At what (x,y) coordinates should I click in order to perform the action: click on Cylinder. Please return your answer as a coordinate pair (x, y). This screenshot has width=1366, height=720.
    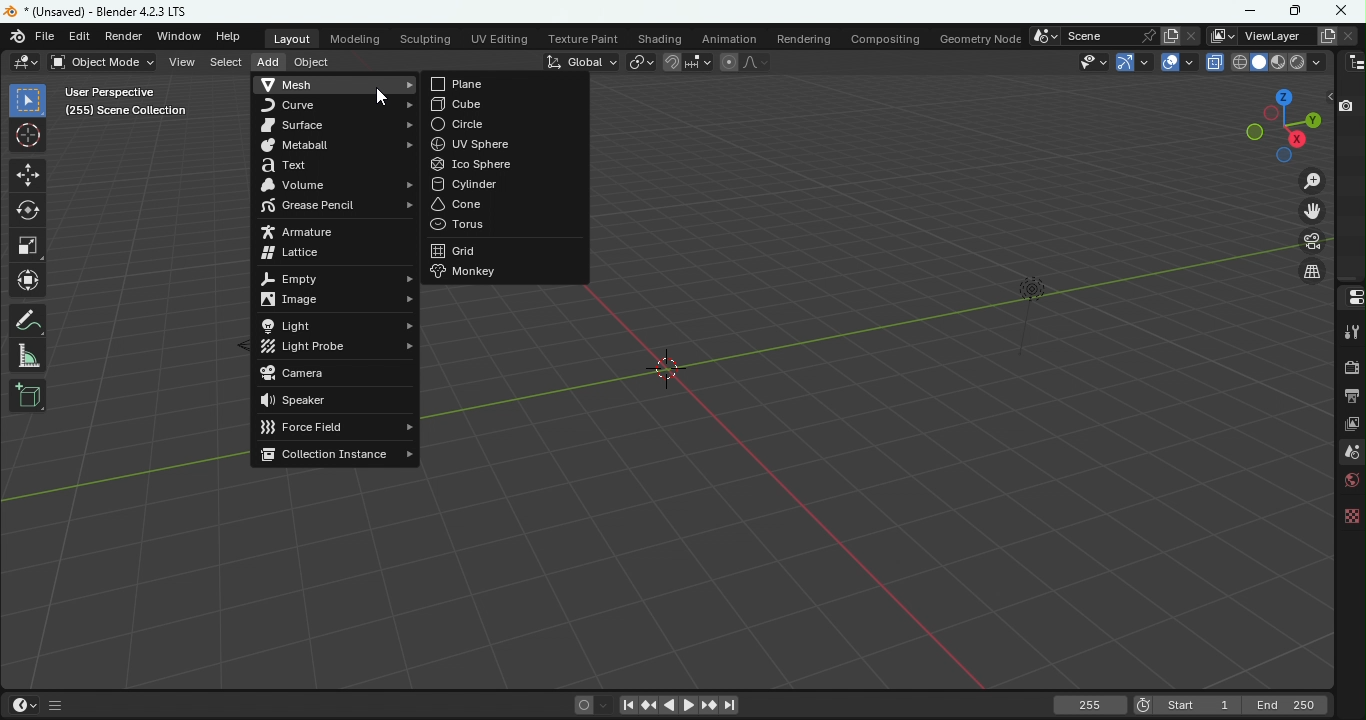
    Looking at the image, I should click on (506, 183).